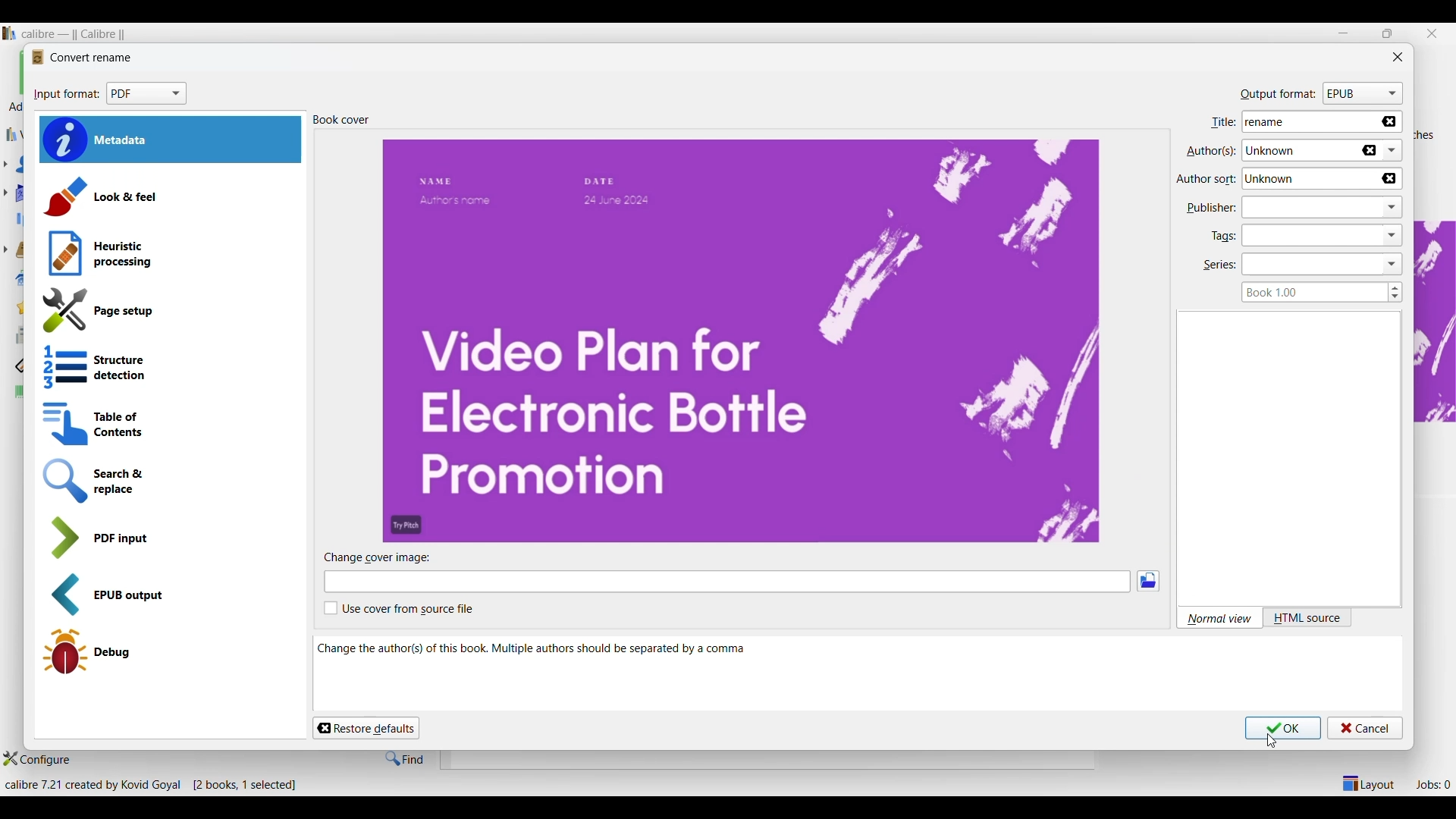 The height and width of the screenshot is (819, 1456). I want to click on Change author, so click(727, 674).